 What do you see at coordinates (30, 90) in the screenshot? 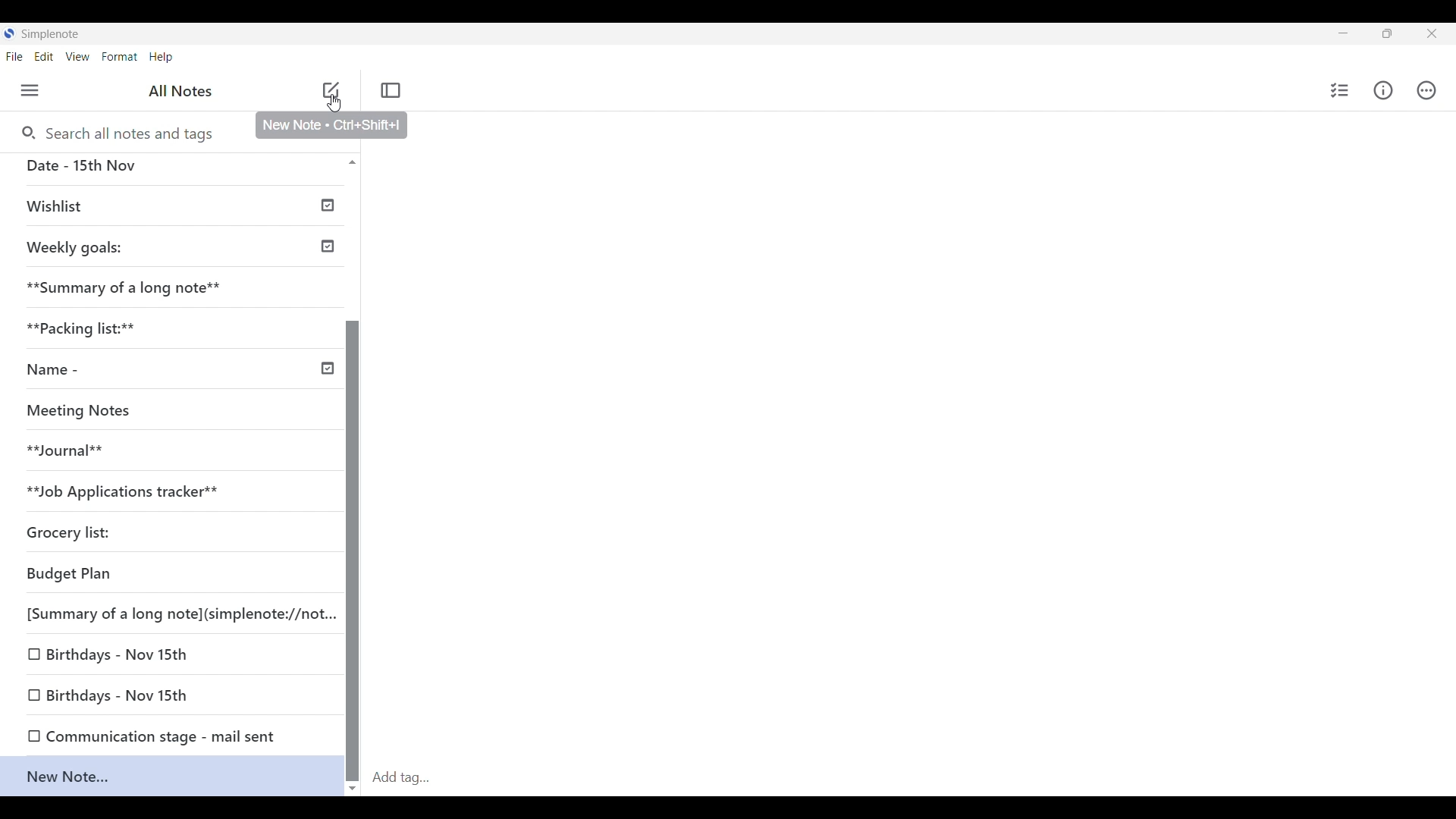
I see `Menu` at bounding box center [30, 90].